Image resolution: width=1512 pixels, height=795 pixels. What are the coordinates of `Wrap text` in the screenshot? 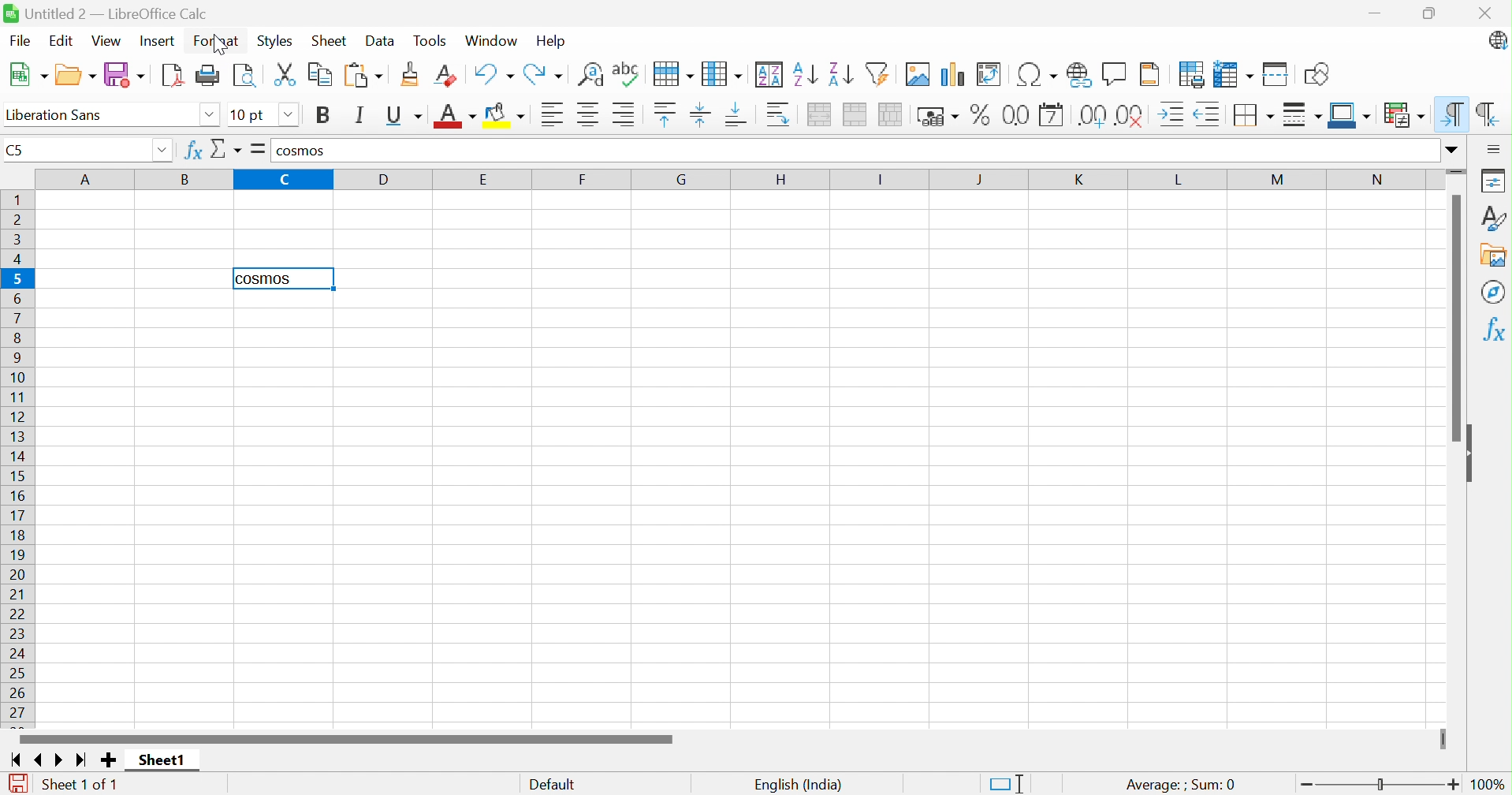 It's located at (779, 114).